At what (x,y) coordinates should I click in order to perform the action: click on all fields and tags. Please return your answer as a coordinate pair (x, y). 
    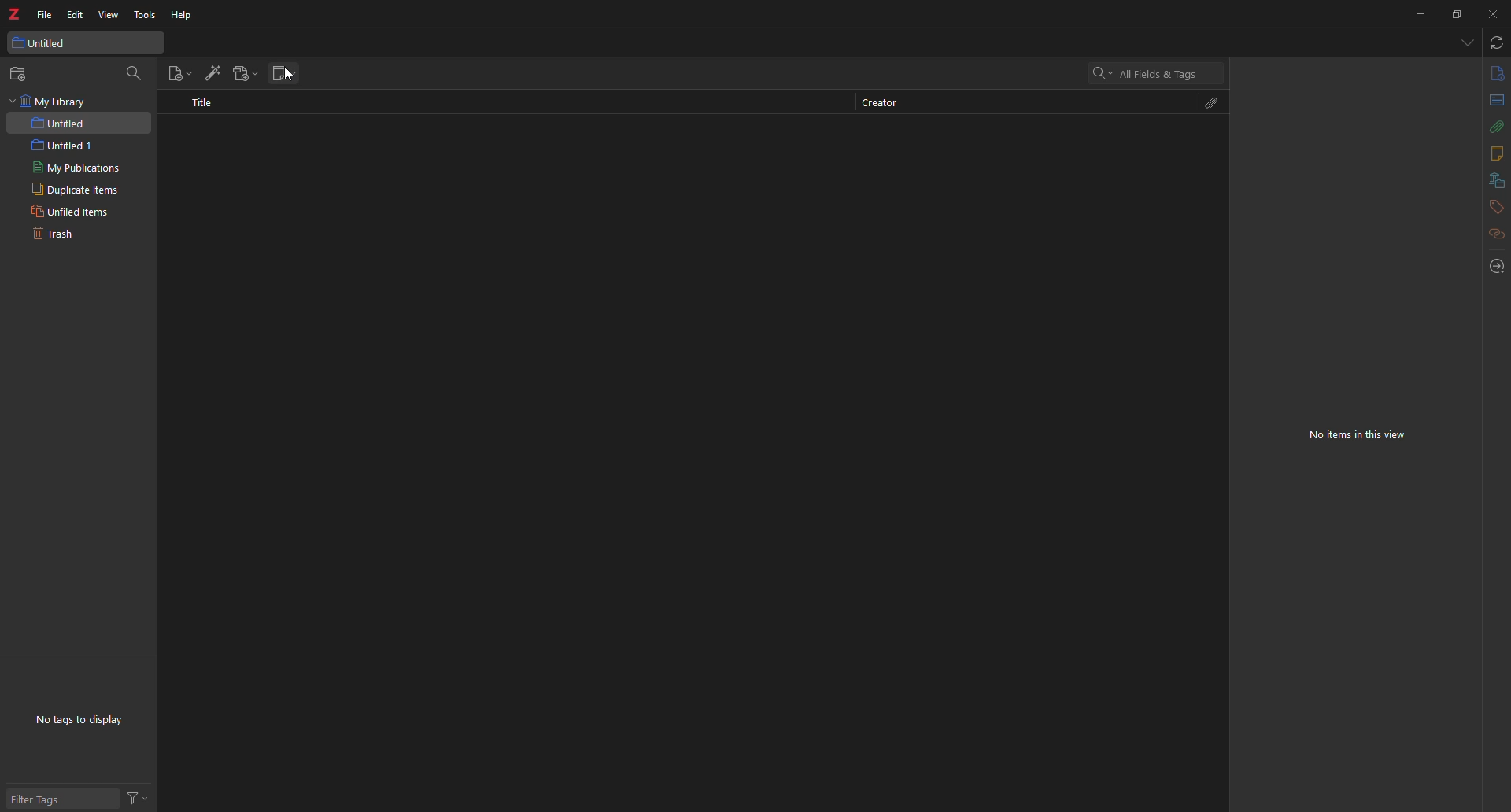
    Looking at the image, I should click on (1148, 72).